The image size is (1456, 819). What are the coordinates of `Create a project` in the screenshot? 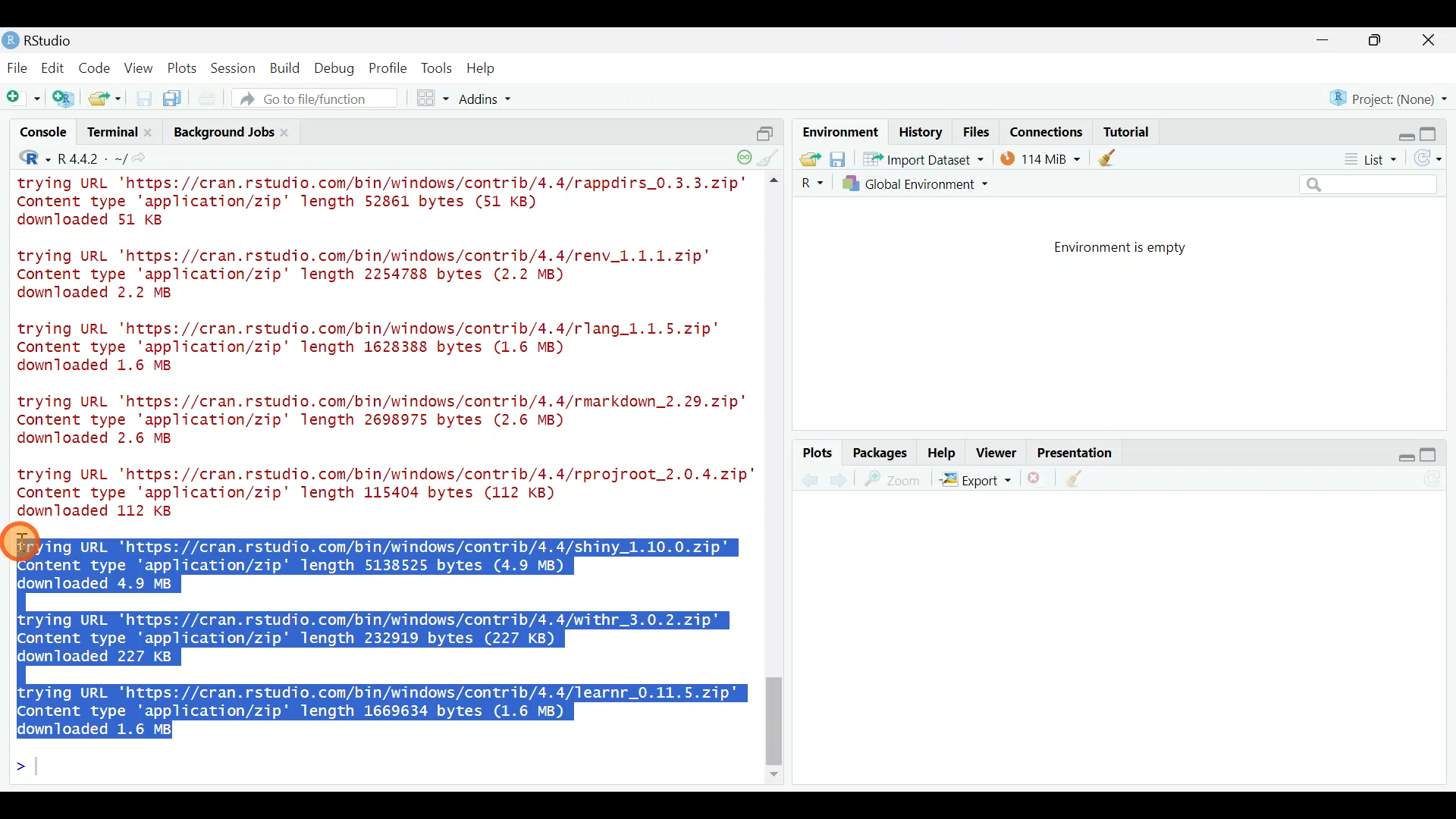 It's located at (65, 99).